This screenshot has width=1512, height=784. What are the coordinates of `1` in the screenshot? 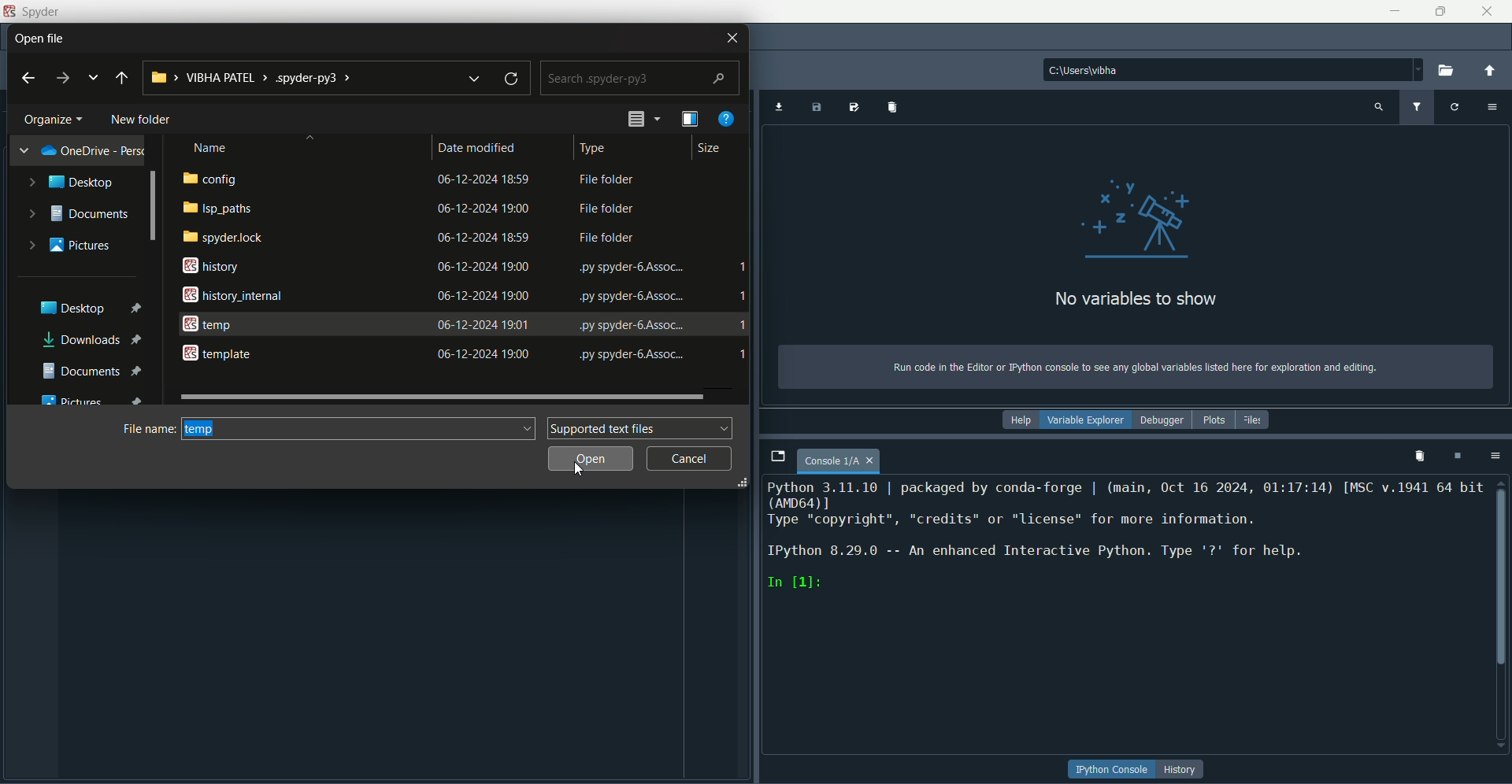 It's located at (741, 265).